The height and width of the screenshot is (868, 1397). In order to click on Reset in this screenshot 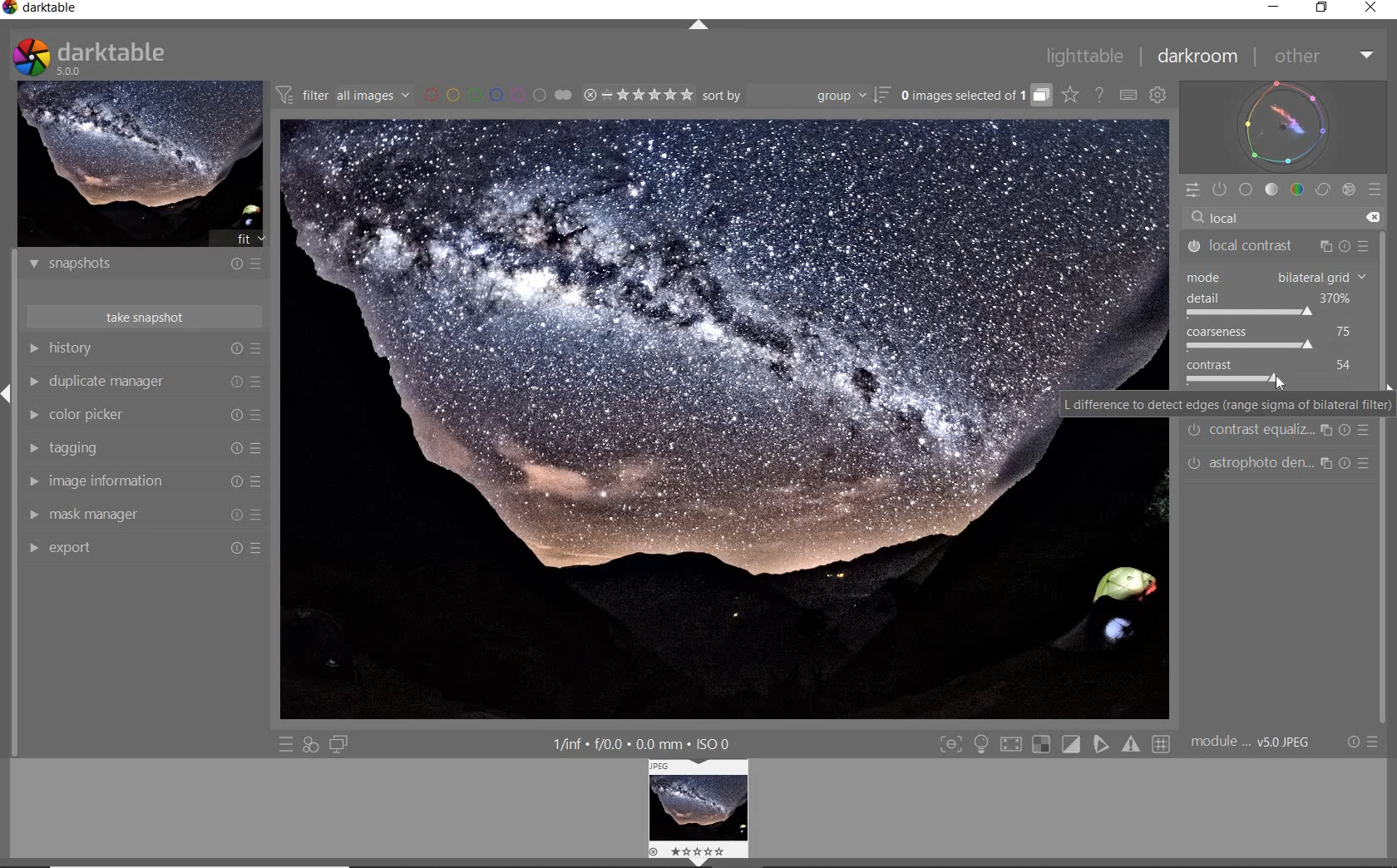, I will do `click(234, 515)`.